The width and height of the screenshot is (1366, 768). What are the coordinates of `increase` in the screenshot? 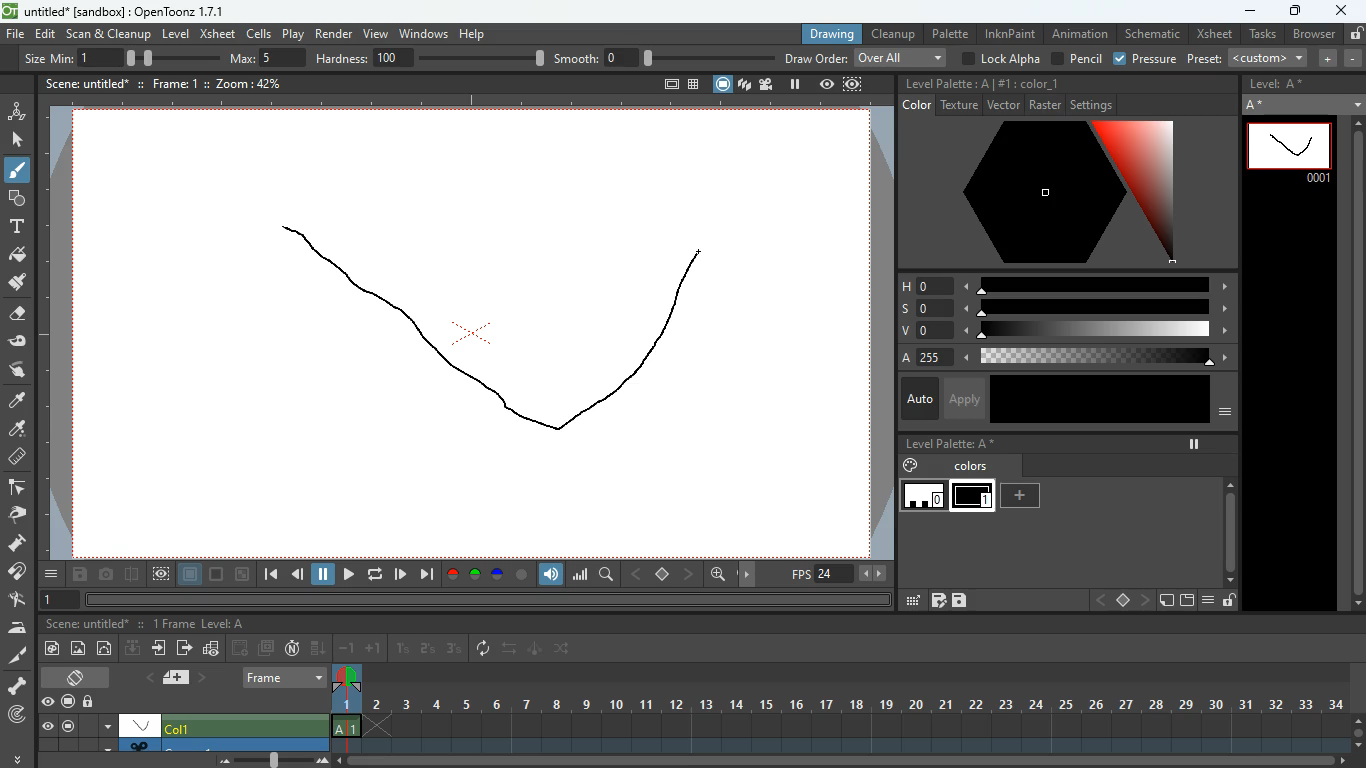 It's located at (1324, 58).